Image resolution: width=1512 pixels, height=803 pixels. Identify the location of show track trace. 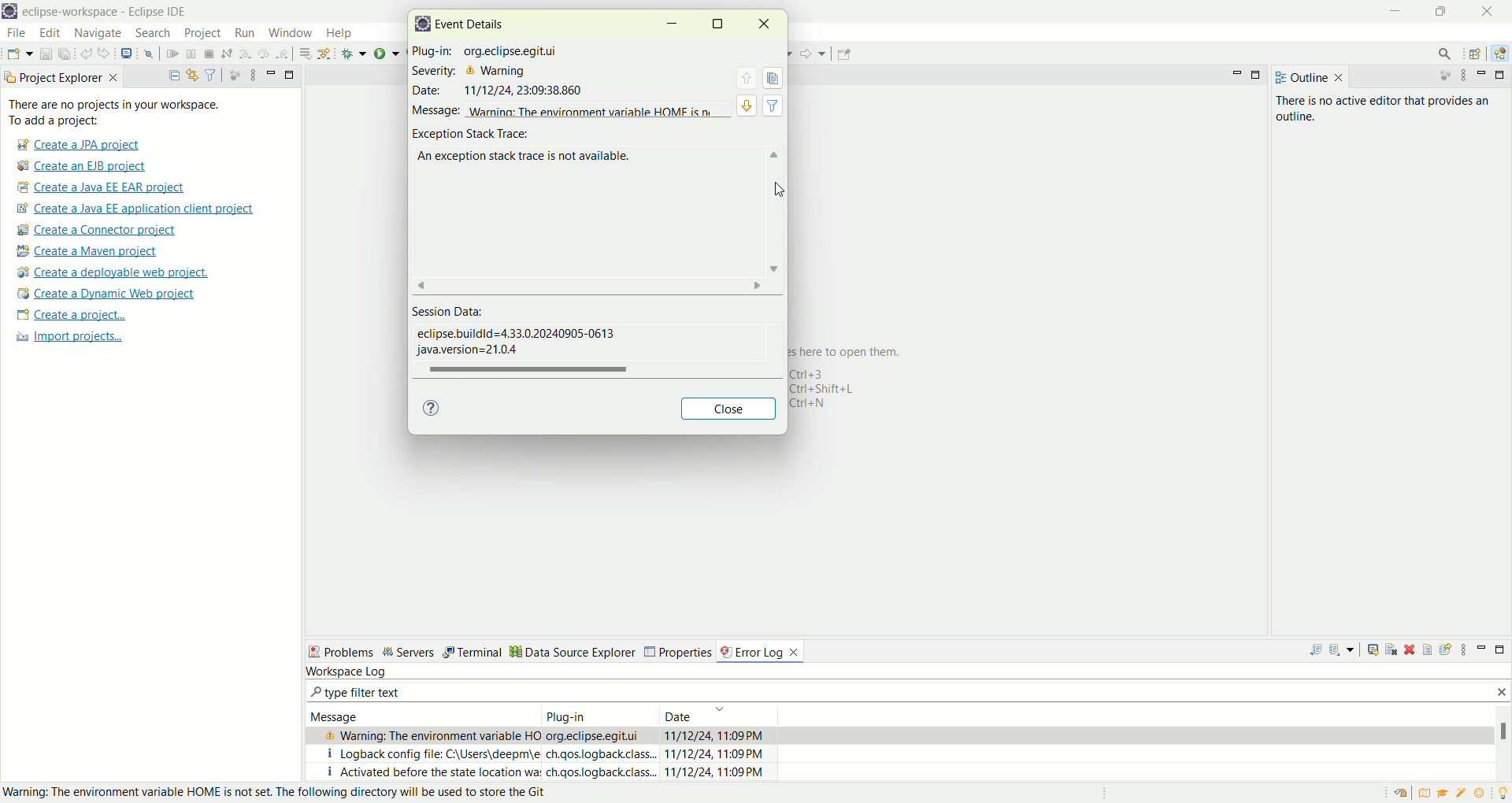
(1373, 654).